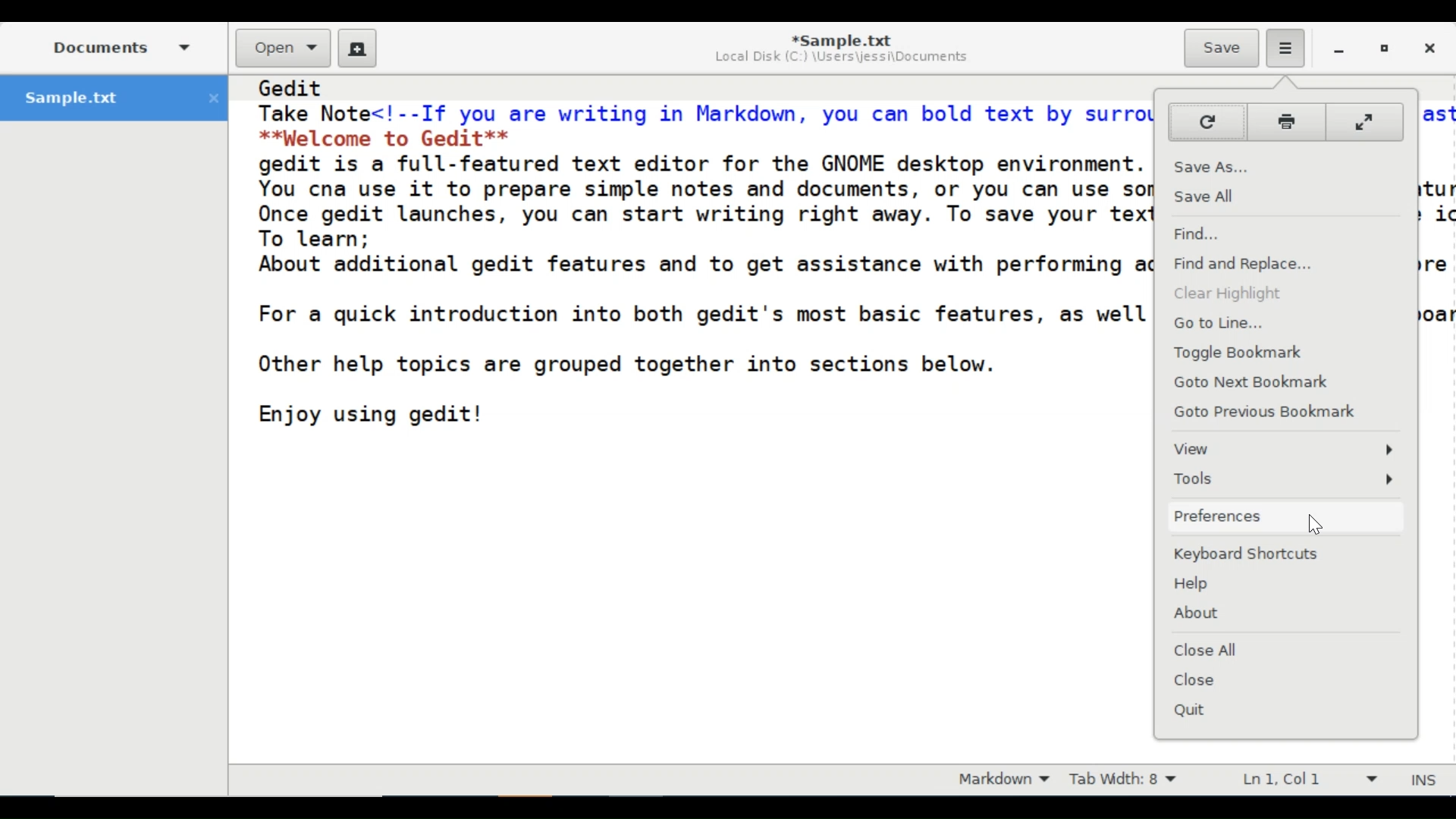  Describe the element at coordinates (1203, 122) in the screenshot. I see `Reload` at that location.